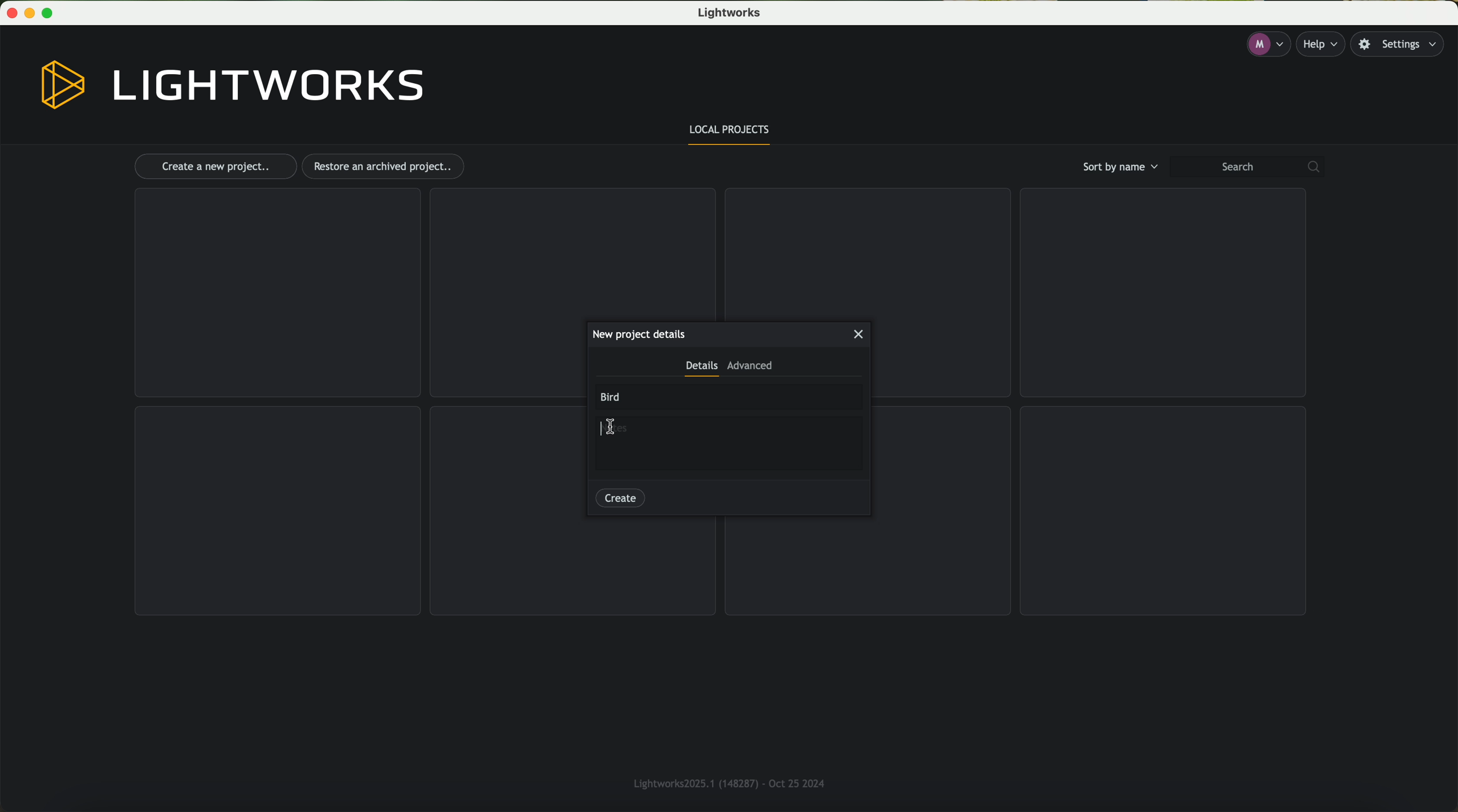  What do you see at coordinates (732, 14) in the screenshot?
I see `Lightworks` at bounding box center [732, 14].